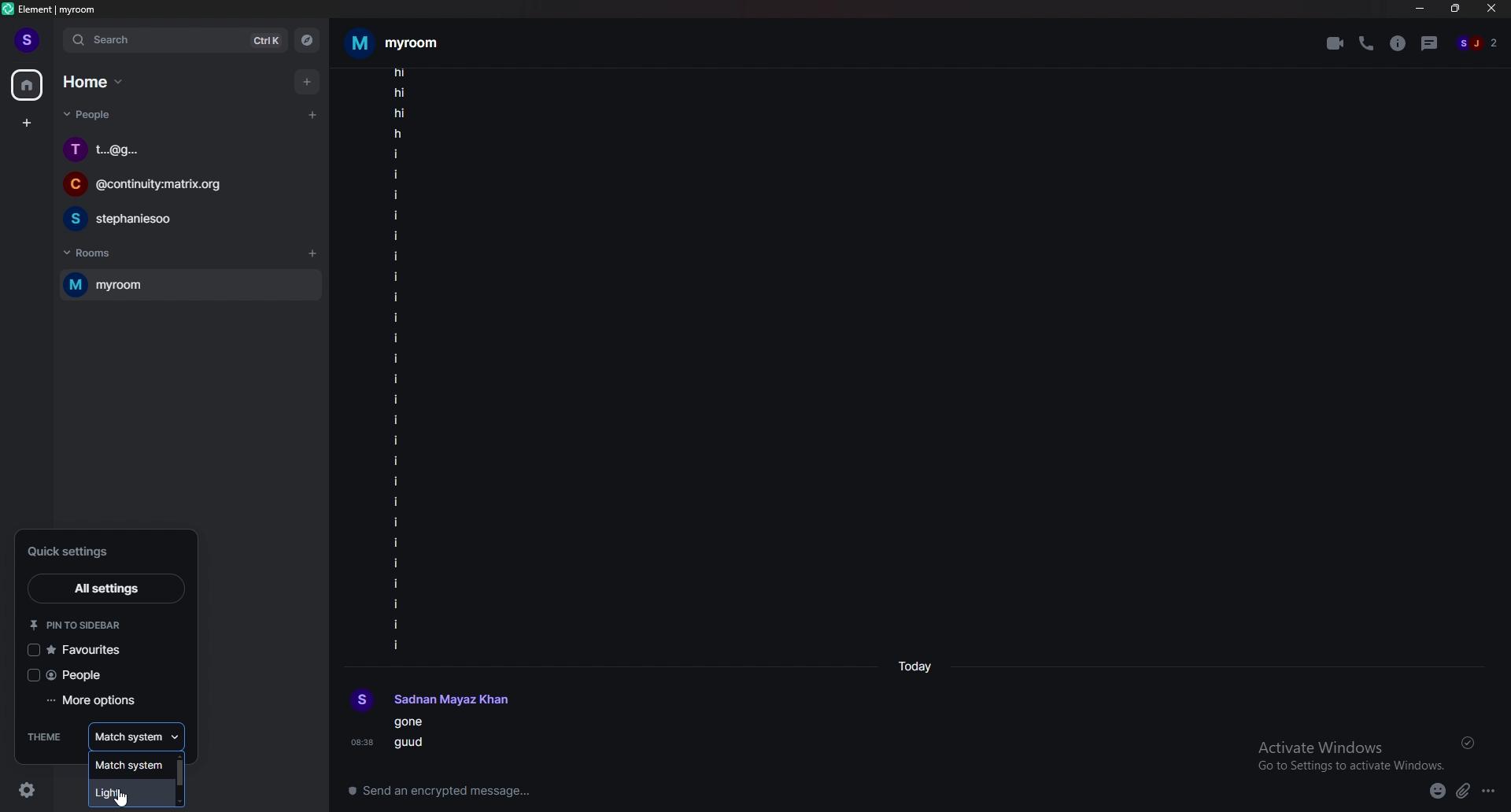  Describe the element at coordinates (179, 779) in the screenshot. I see `scroll bar` at that location.